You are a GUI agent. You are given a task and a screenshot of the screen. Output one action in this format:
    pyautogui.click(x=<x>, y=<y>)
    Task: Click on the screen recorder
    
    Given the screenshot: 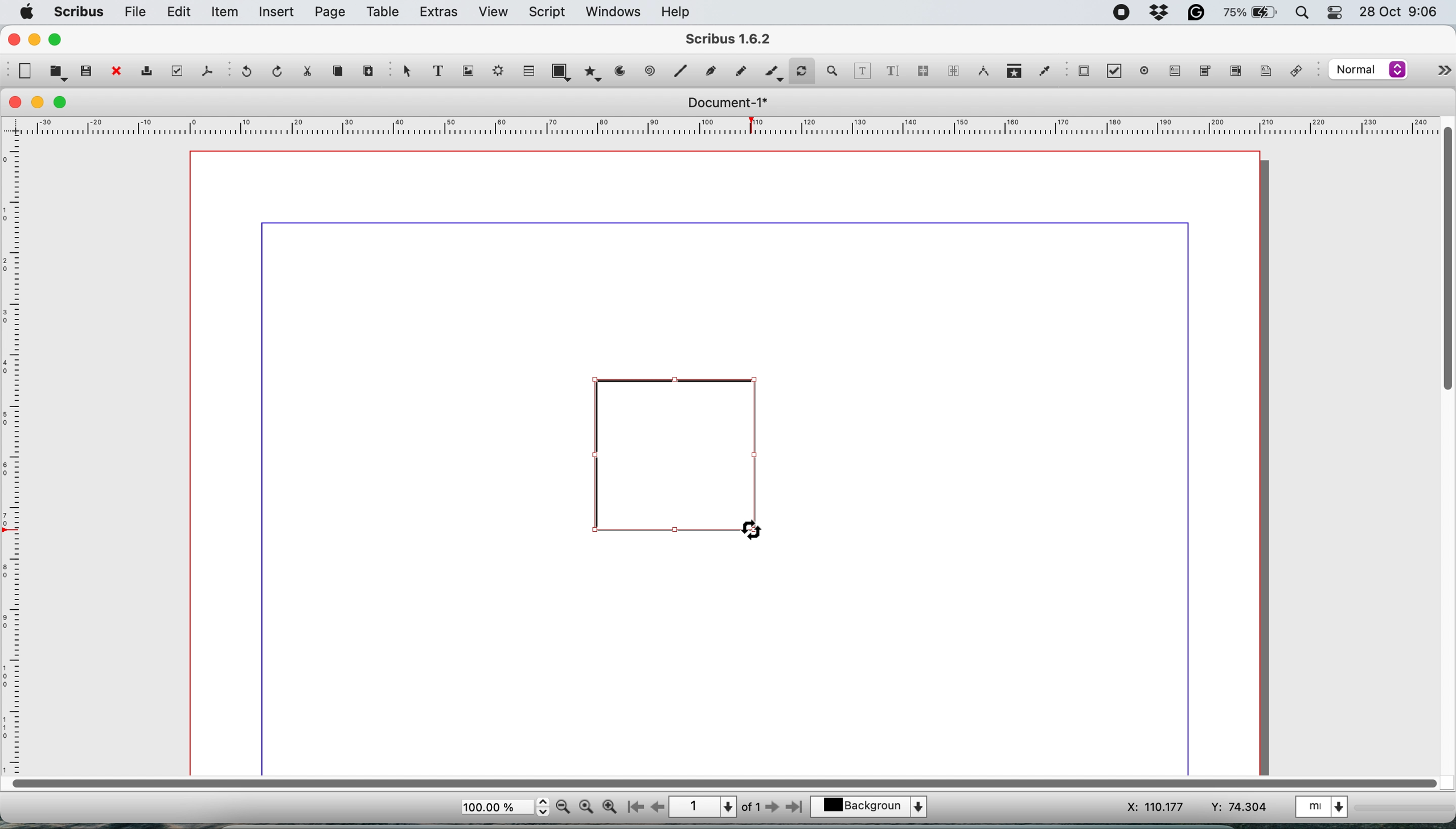 What is the action you would take?
    pyautogui.click(x=1119, y=11)
    